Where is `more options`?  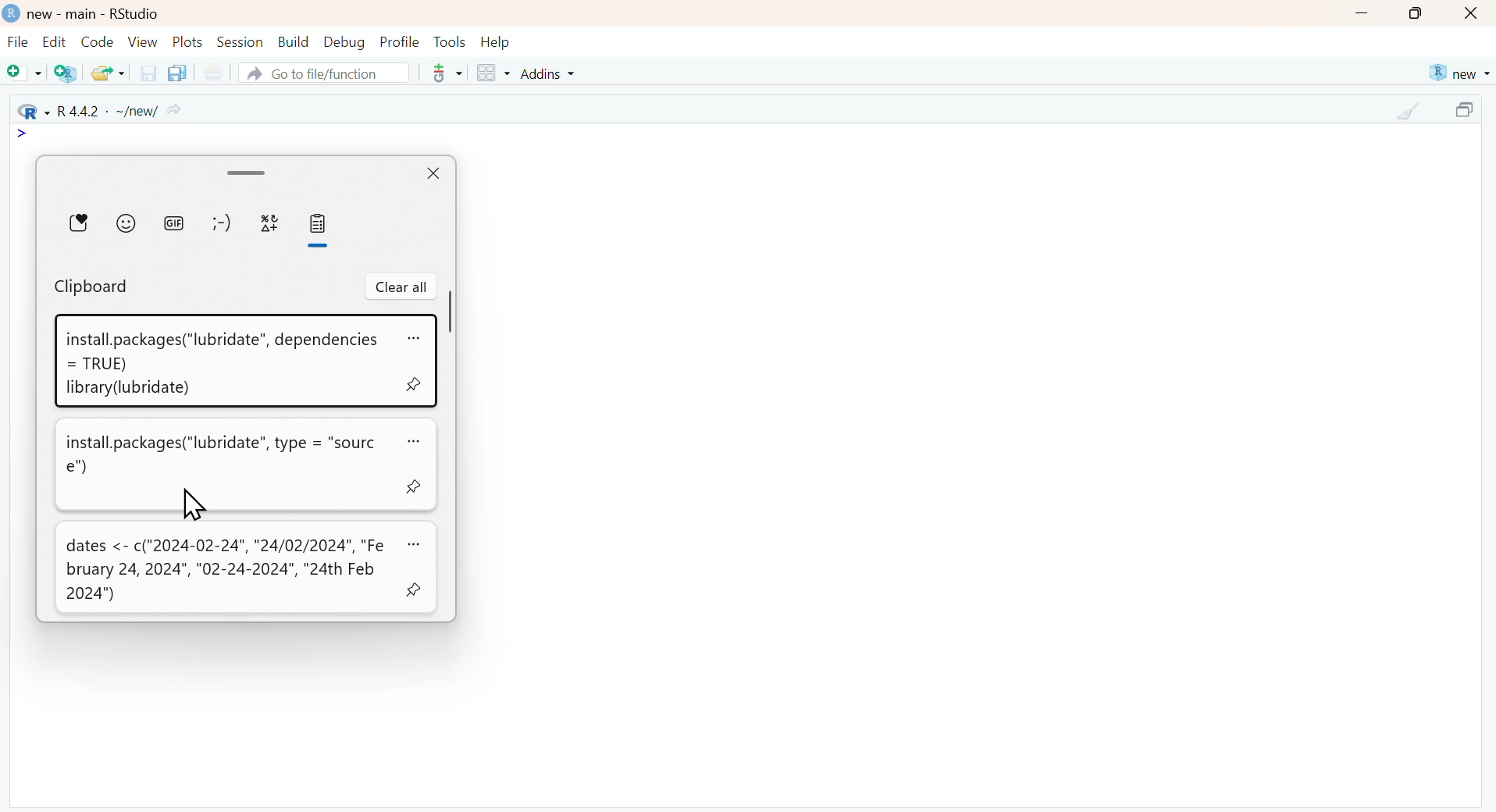 more options is located at coordinates (411, 440).